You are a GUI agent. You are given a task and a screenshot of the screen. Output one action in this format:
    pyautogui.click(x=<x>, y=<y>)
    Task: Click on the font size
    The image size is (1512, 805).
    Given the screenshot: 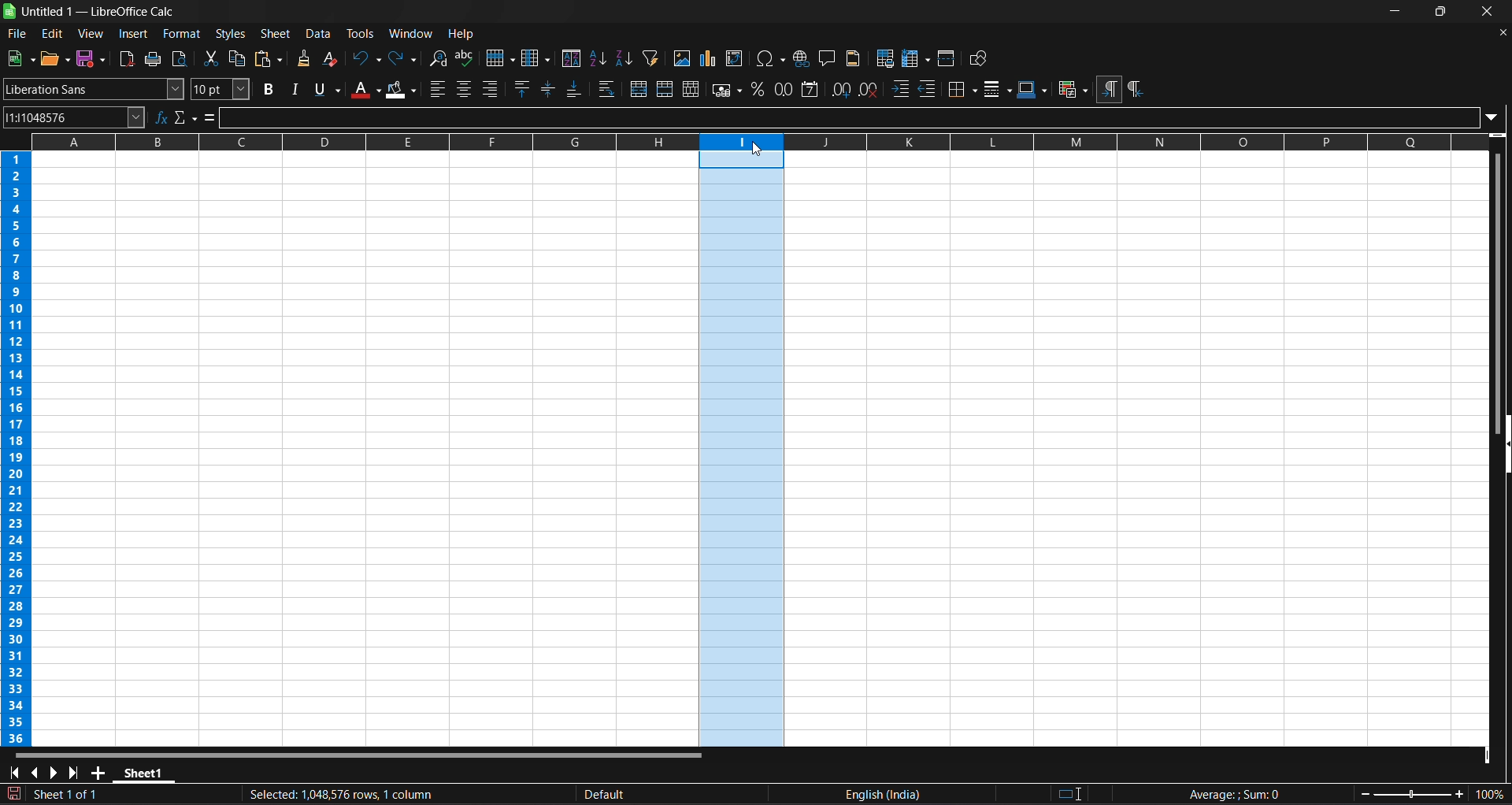 What is the action you would take?
    pyautogui.click(x=218, y=89)
    